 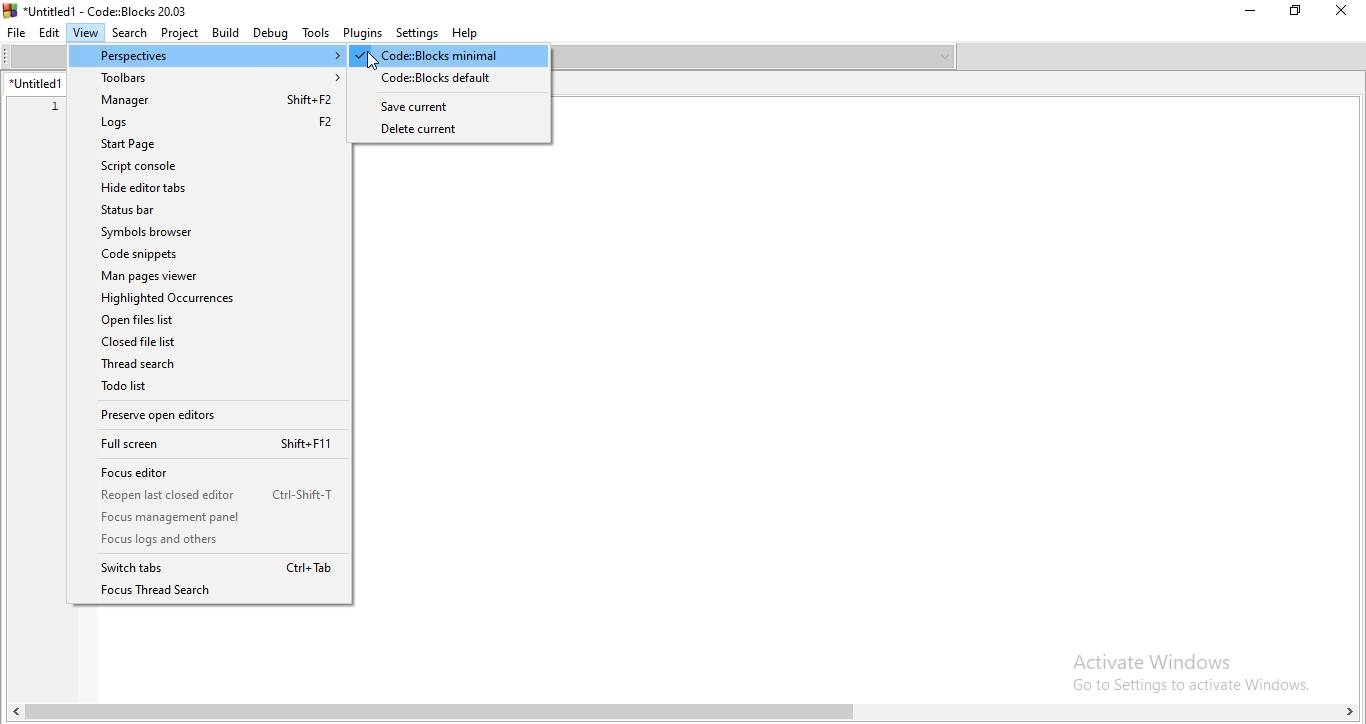 I want to click on Help, so click(x=464, y=32).